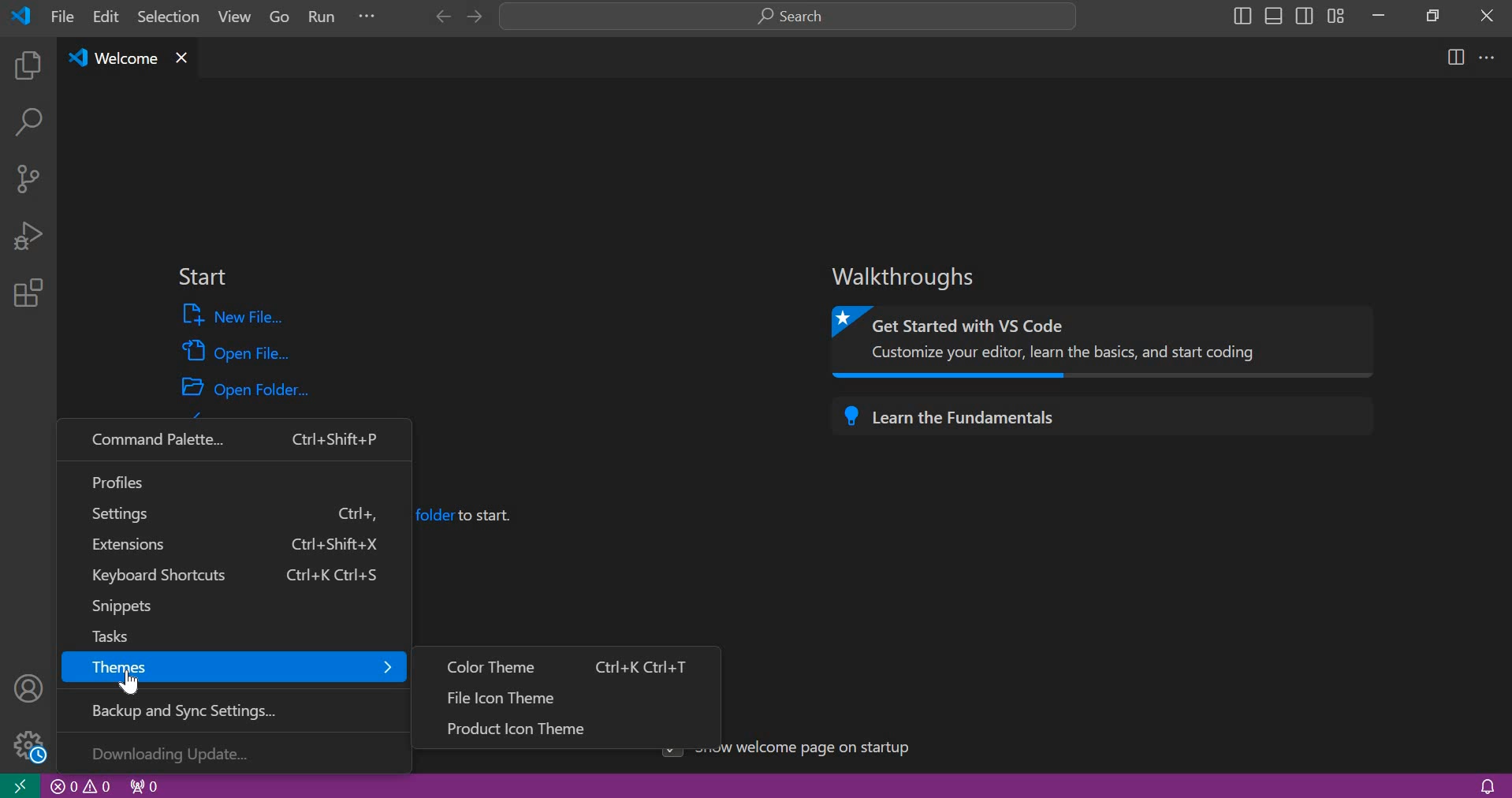 This screenshot has width=1512, height=798. Describe the element at coordinates (181, 57) in the screenshot. I see `close tab` at that location.